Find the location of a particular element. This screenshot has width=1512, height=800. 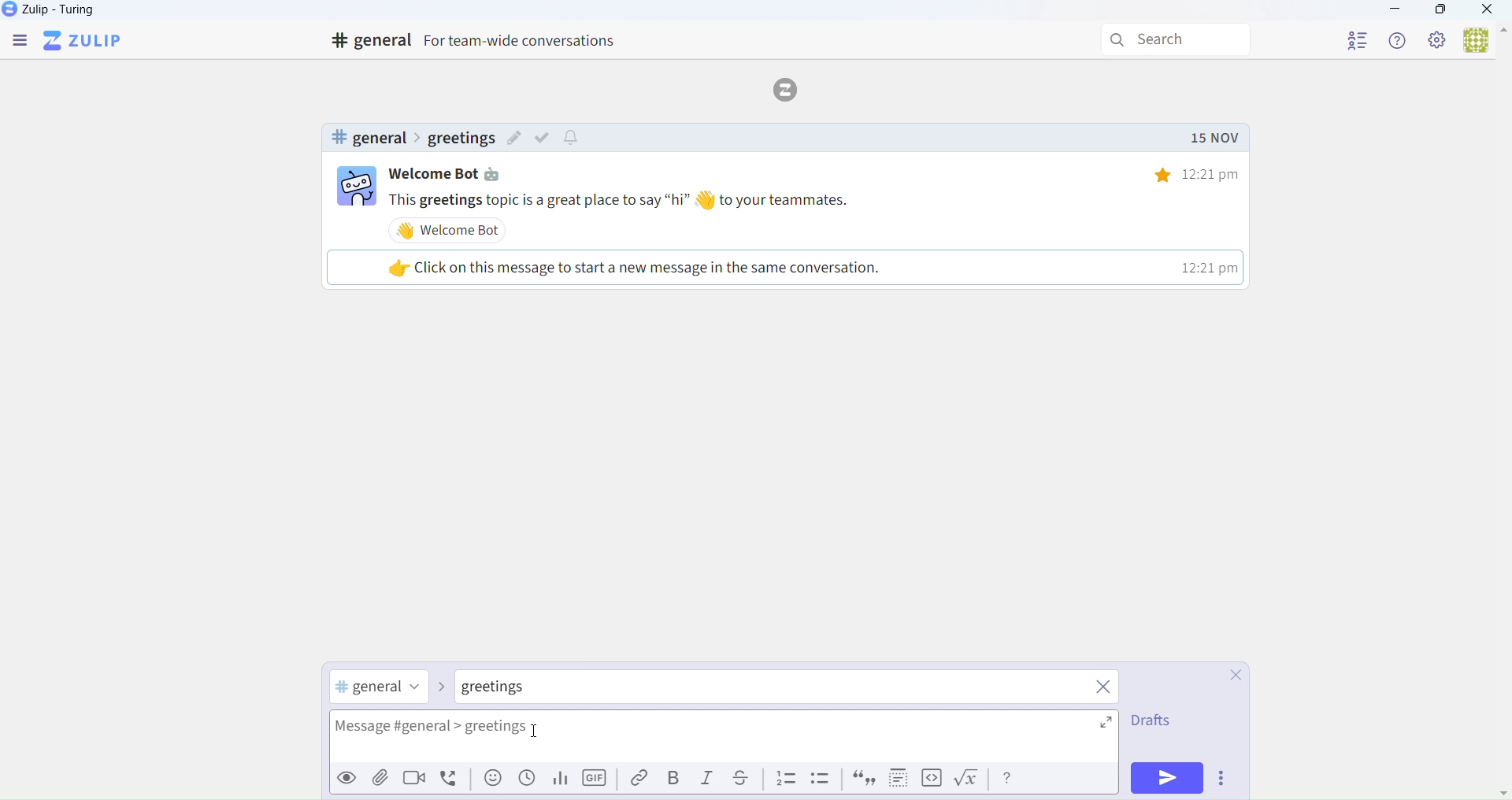

Stats is located at coordinates (558, 780).